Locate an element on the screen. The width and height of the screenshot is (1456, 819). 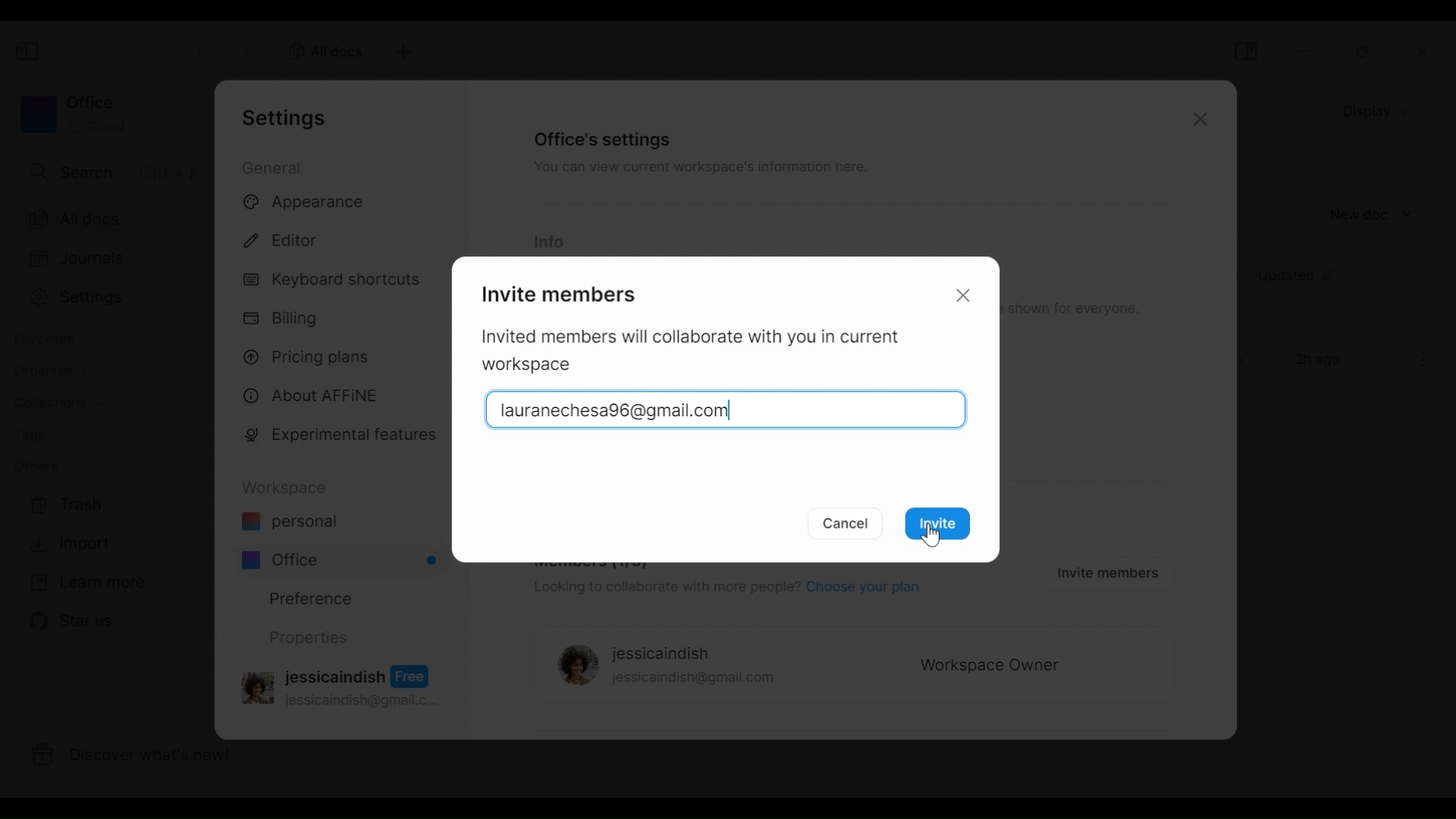
Keyboard shortcuts is located at coordinates (334, 281).